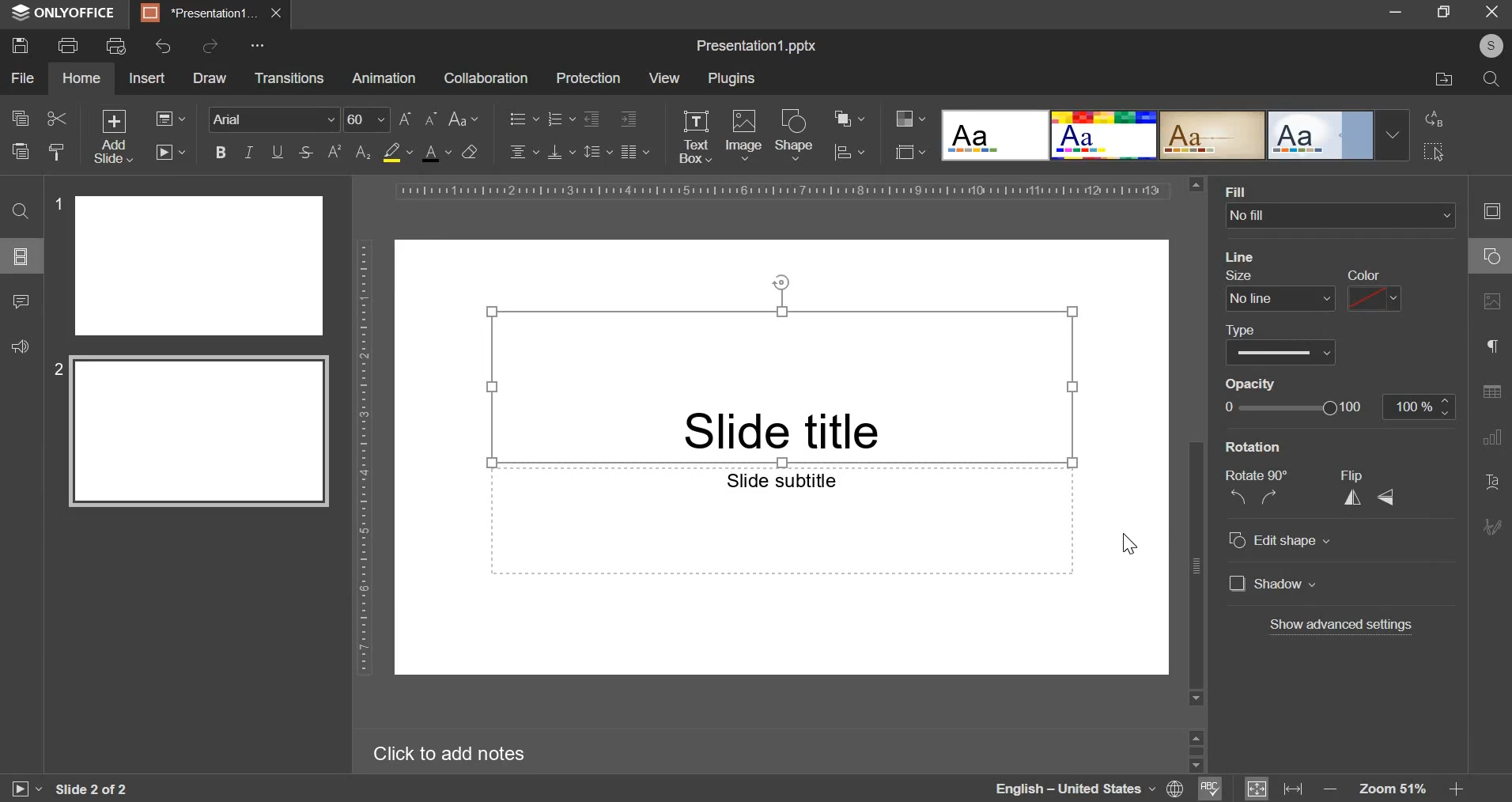 The height and width of the screenshot is (802, 1512). Describe the element at coordinates (209, 78) in the screenshot. I see `draw` at that location.